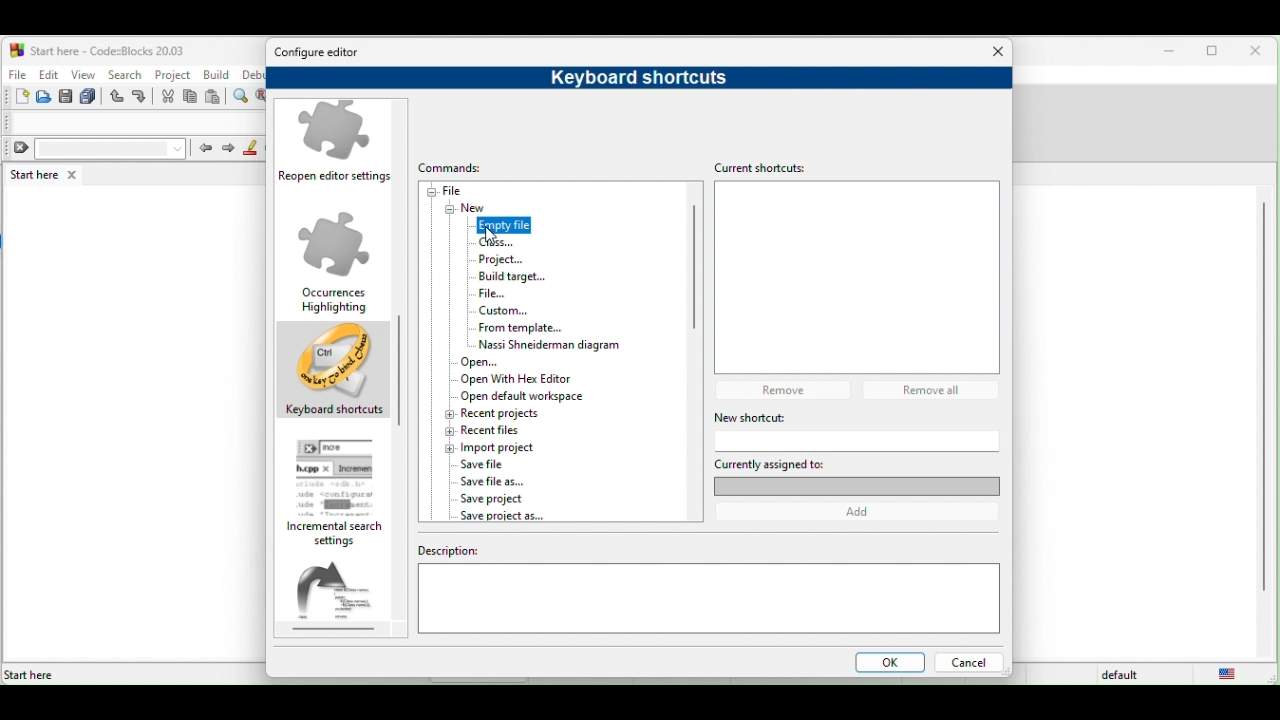 The height and width of the screenshot is (720, 1280). I want to click on search, so click(124, 74).